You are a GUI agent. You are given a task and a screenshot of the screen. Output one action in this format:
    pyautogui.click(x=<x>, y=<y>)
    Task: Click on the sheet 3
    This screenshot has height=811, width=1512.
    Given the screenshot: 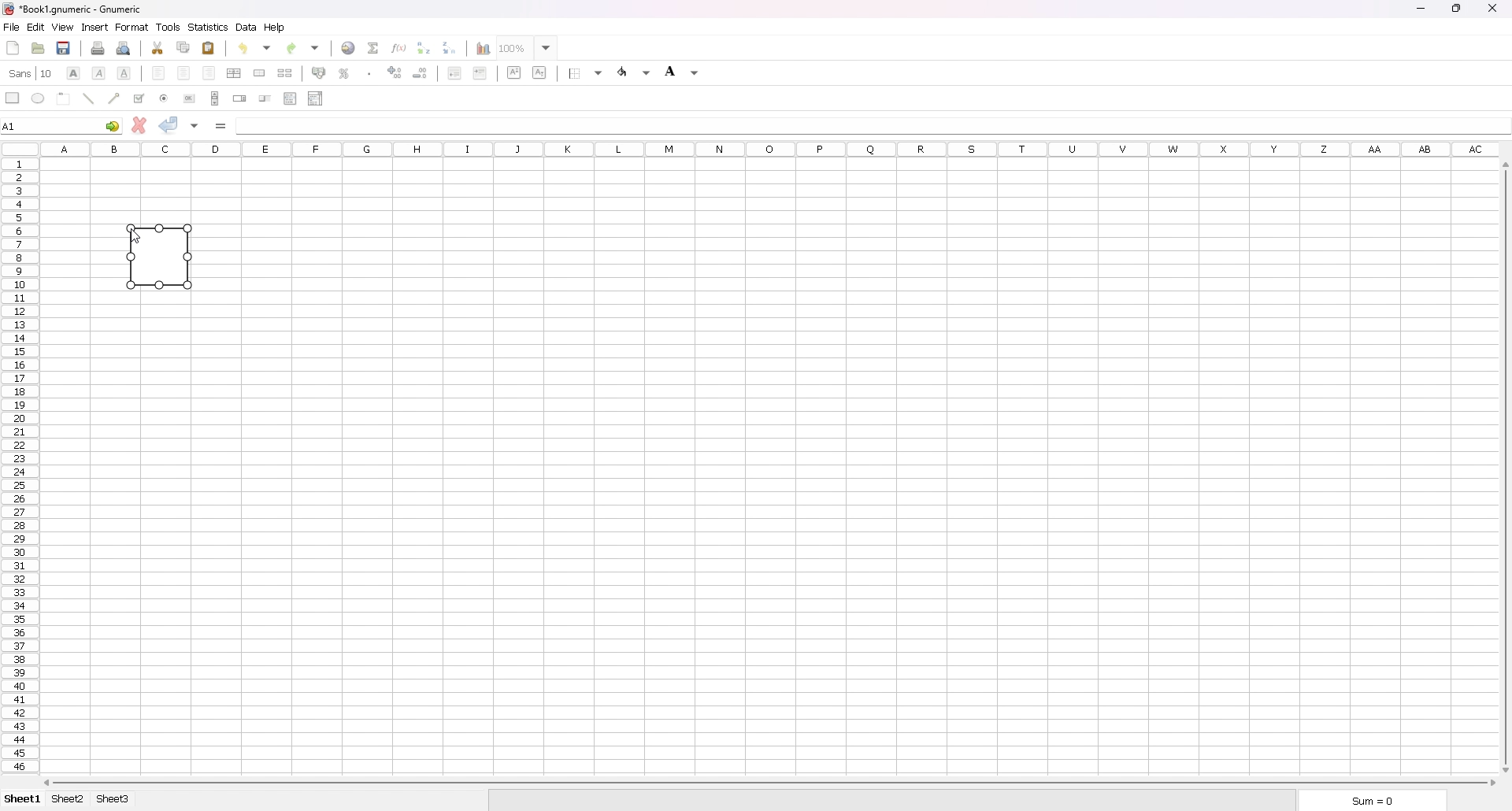 What is the action you would take?
    pyautogui.click(x=114, y=800)
    